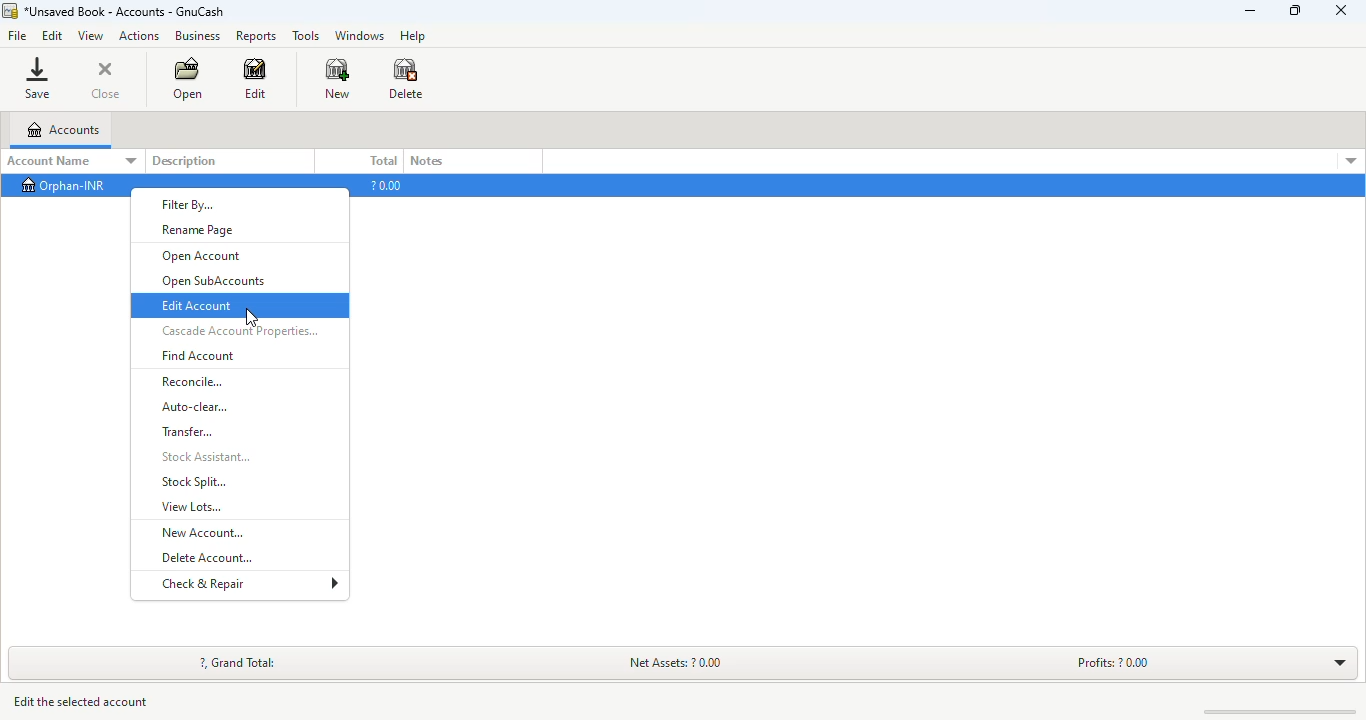  I want to click on ?0.00, so click(386, 184).